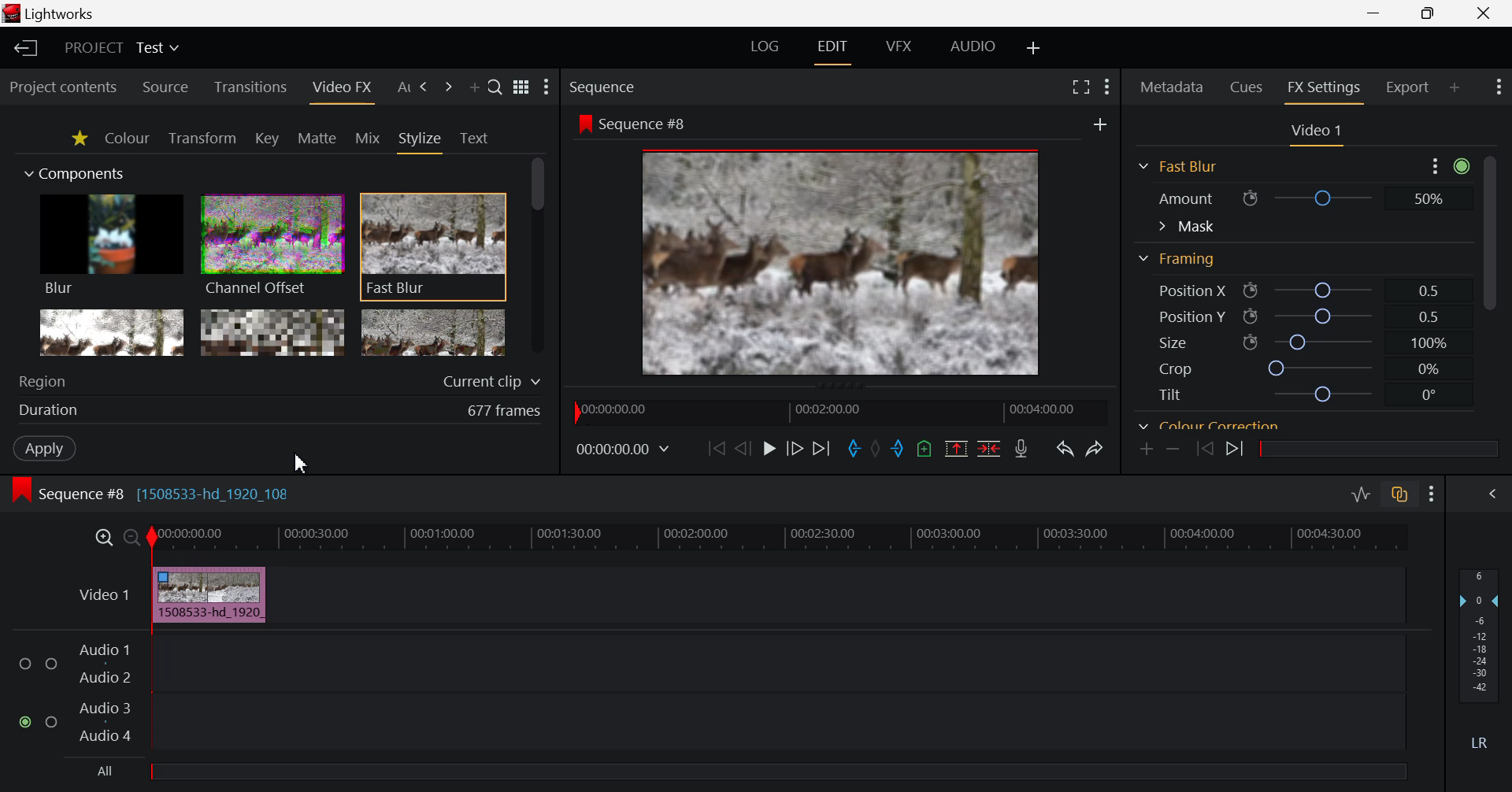  I want to click on Glow, so click(113, 335).